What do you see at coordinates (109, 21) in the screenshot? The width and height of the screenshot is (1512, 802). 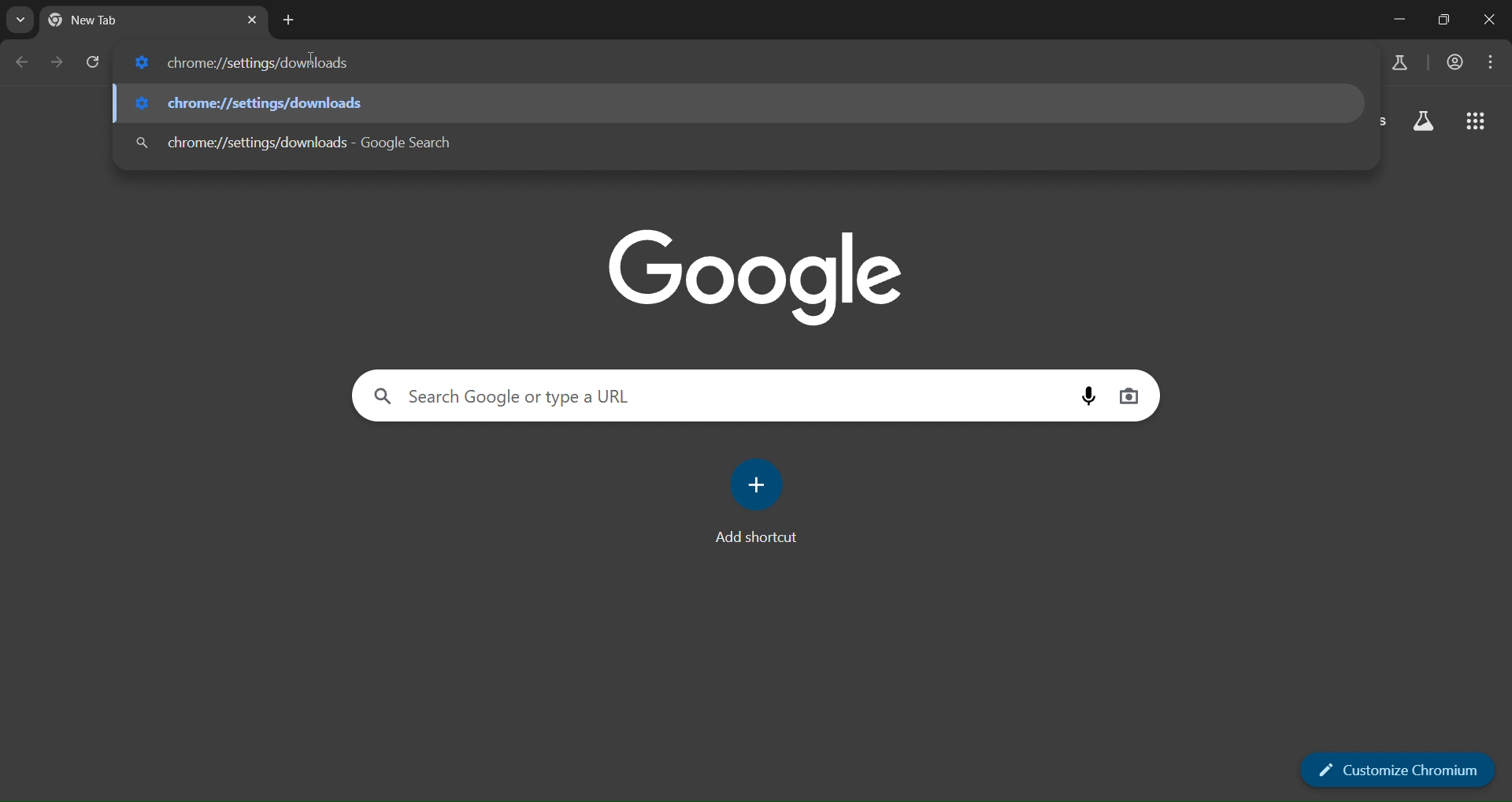 I see `current tab` at bounding box center [109, 21].